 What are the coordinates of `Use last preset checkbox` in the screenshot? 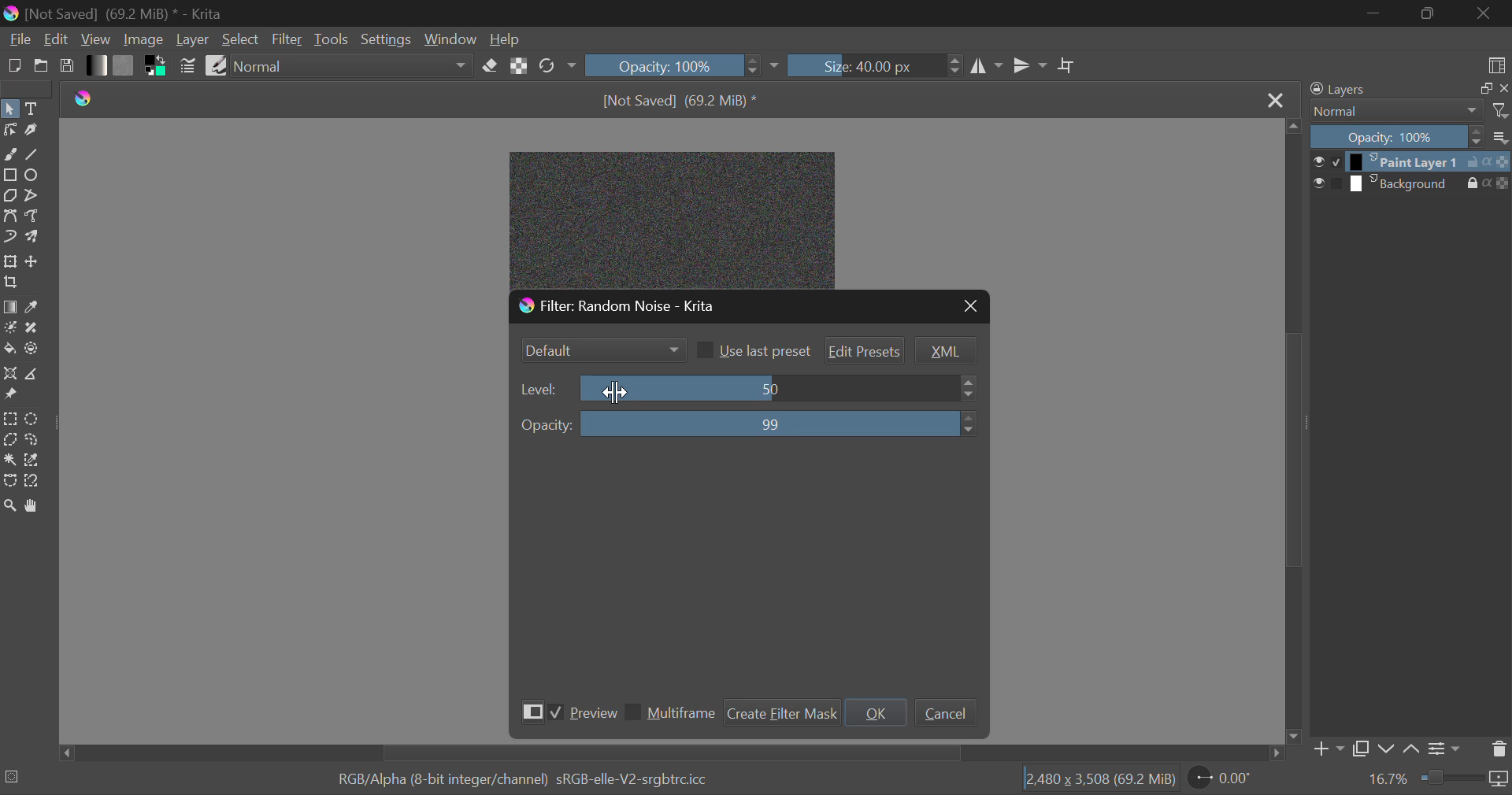 It's located at (753, 350).